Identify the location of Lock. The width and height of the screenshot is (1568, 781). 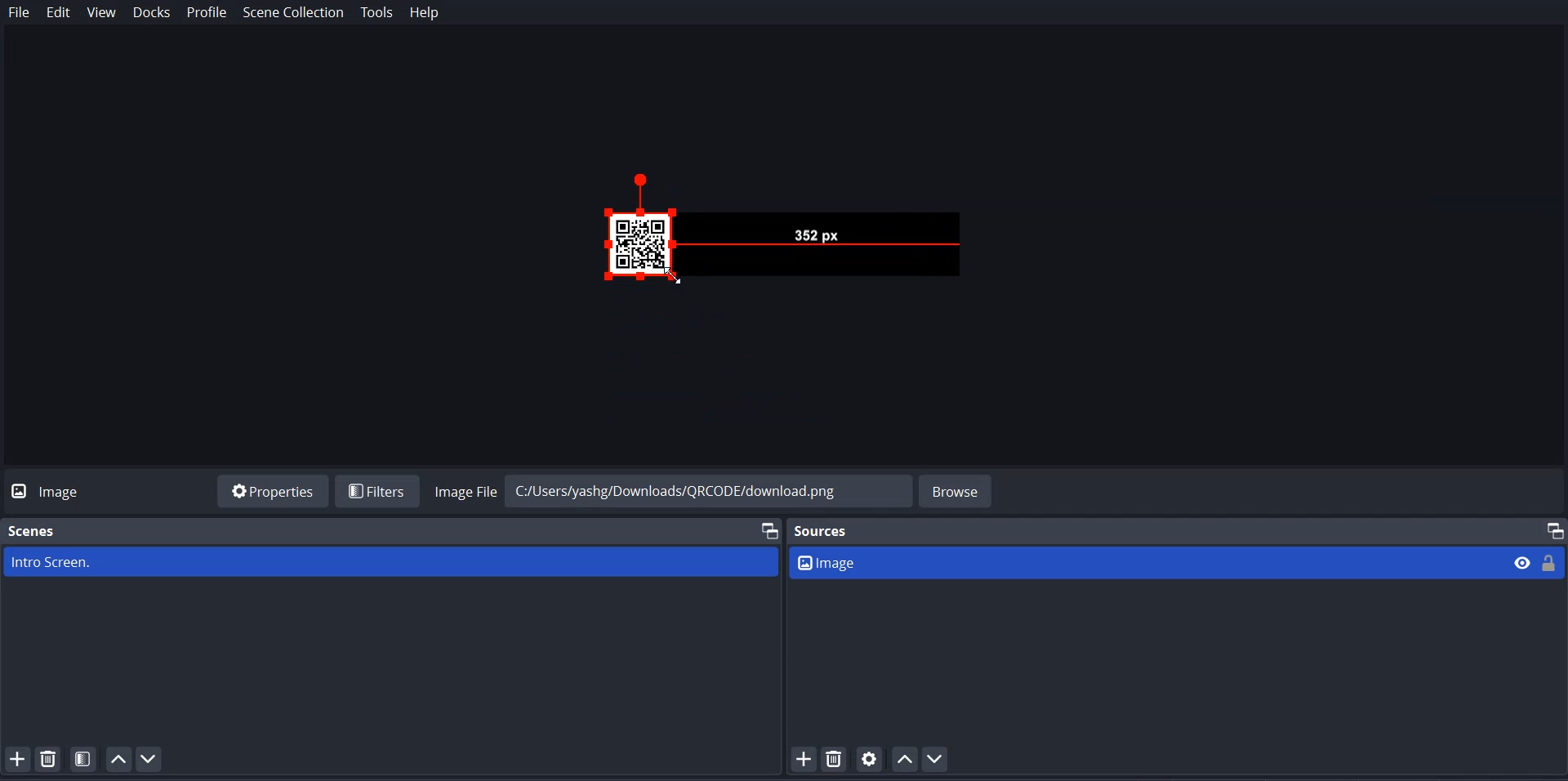
(1551, 561).